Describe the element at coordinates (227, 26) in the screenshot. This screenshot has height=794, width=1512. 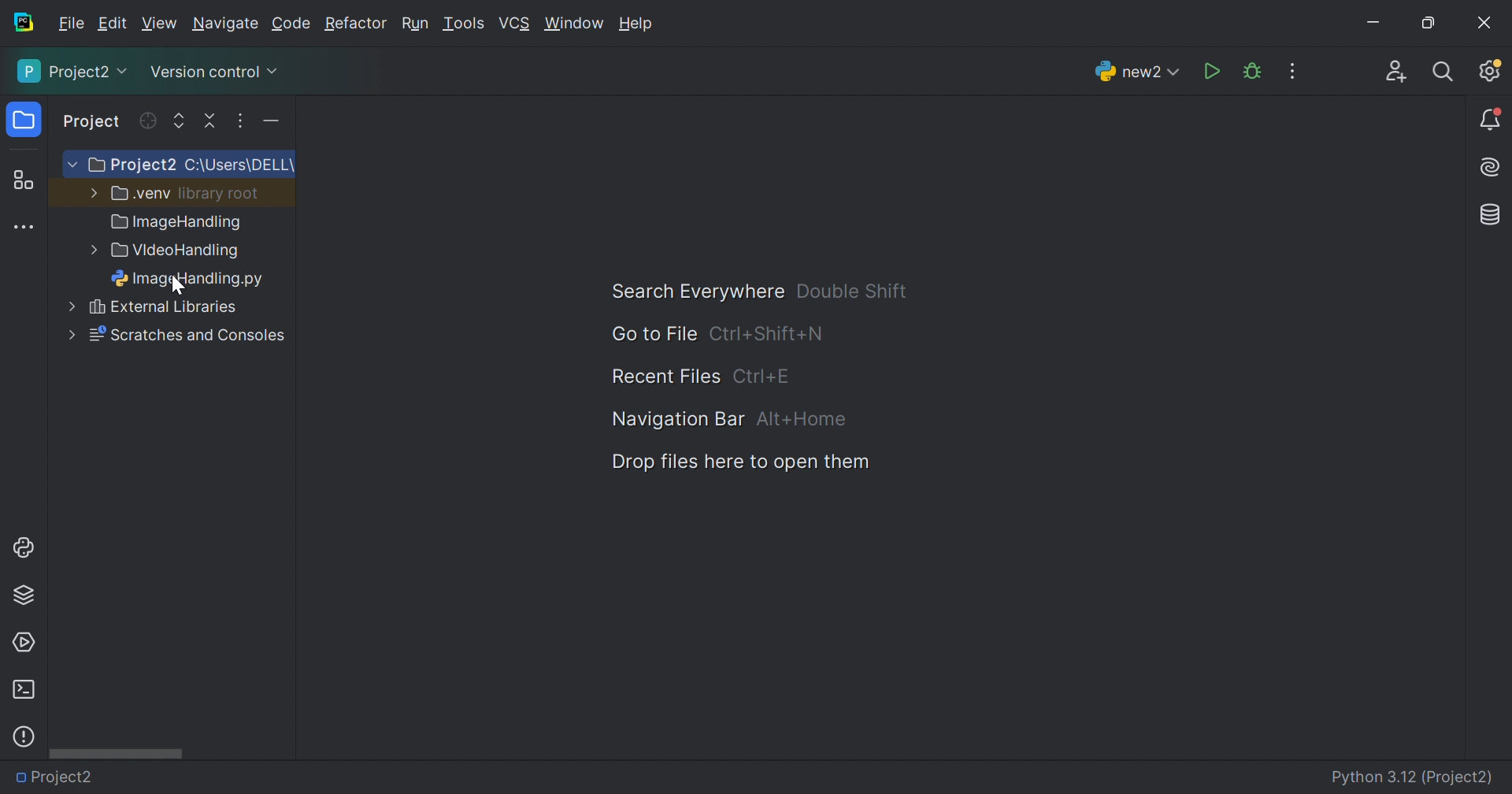
I see `Navigate` at that location.